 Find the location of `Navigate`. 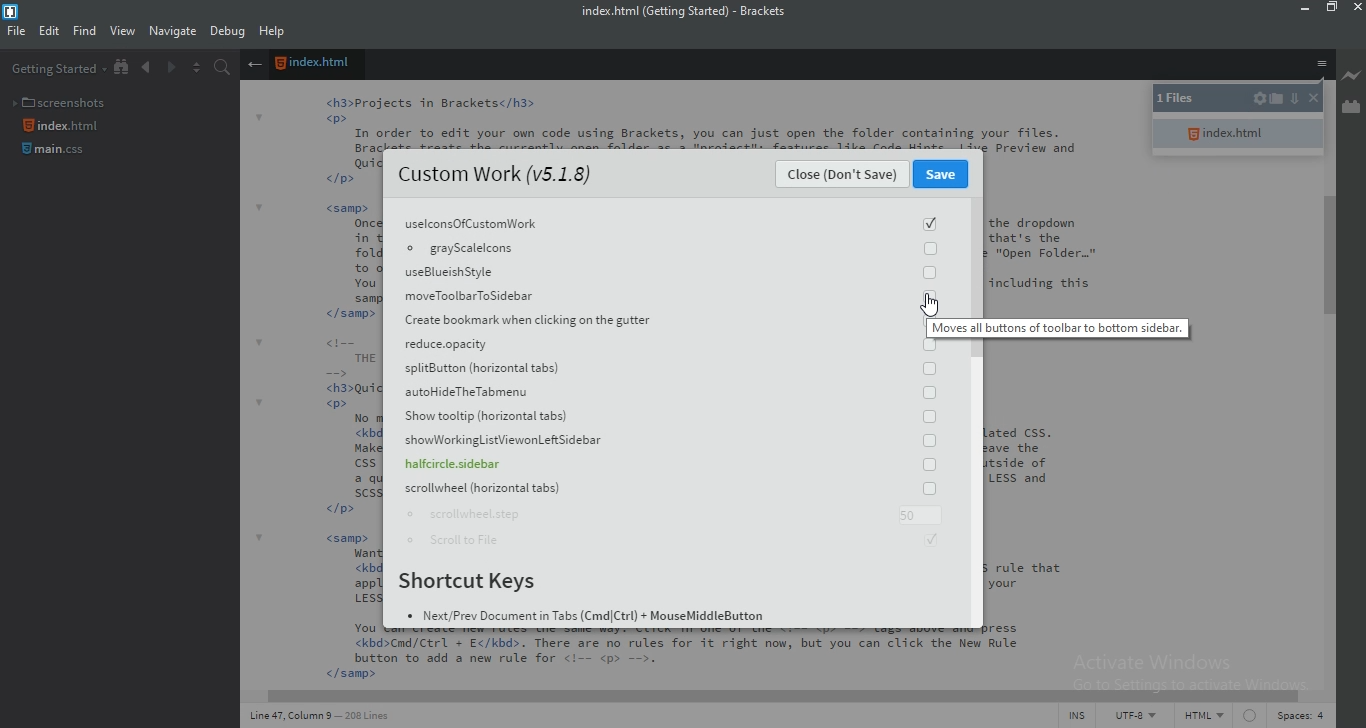

Navigate is located at coordinates (172, 31).